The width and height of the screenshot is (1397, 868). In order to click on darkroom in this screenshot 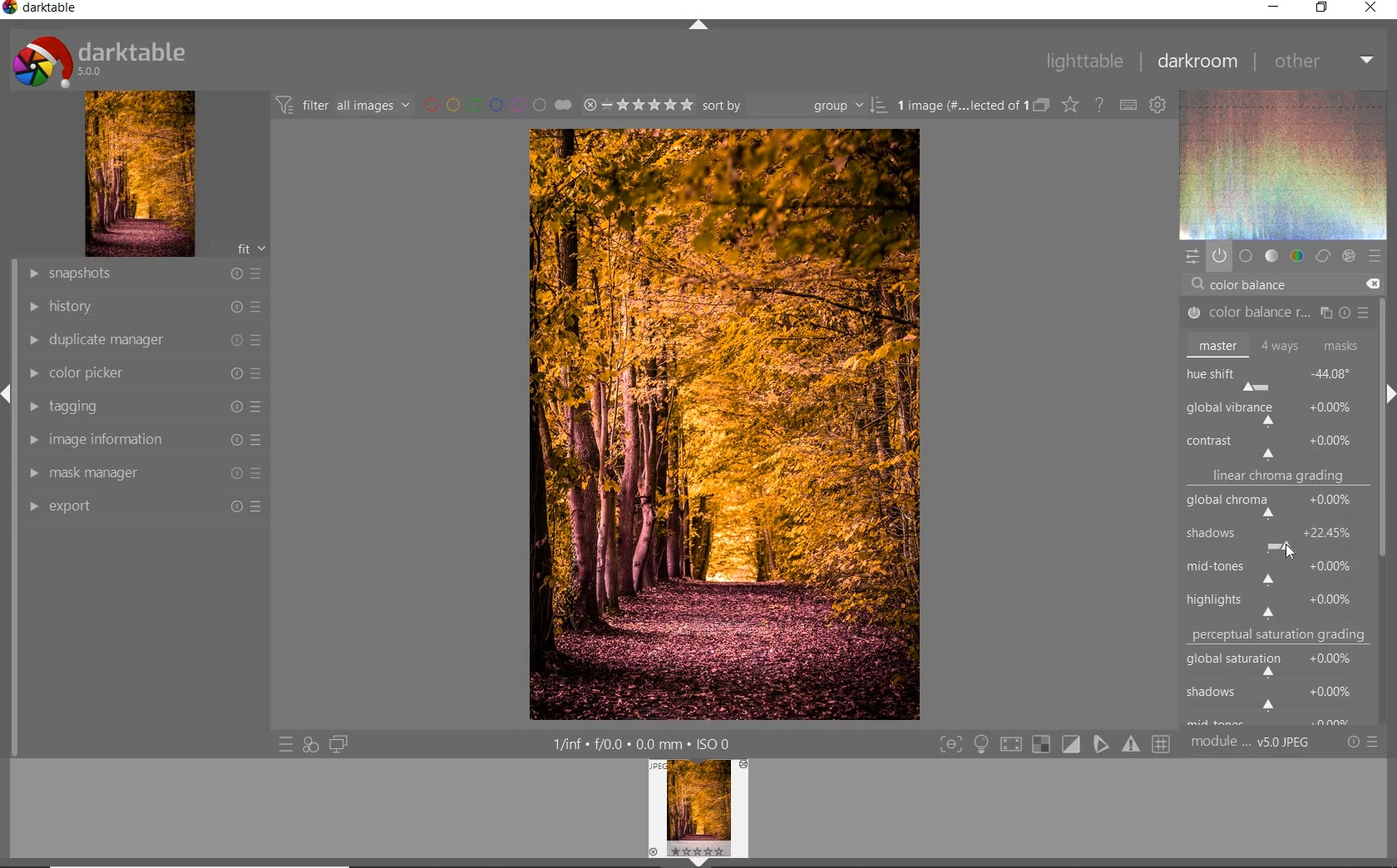, I will do `click(1198, 61)`.